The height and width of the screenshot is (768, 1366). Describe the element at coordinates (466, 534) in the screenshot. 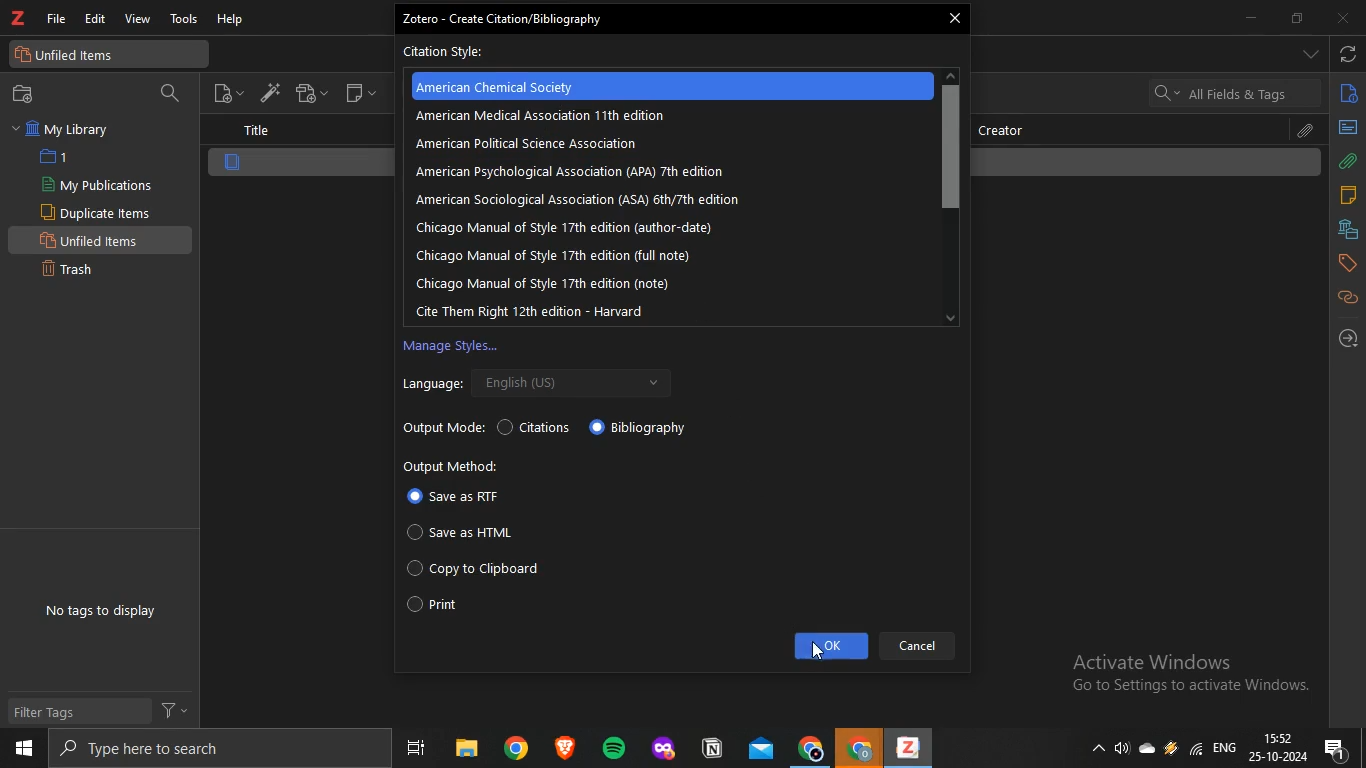

I see `Save as HTML` at that location.